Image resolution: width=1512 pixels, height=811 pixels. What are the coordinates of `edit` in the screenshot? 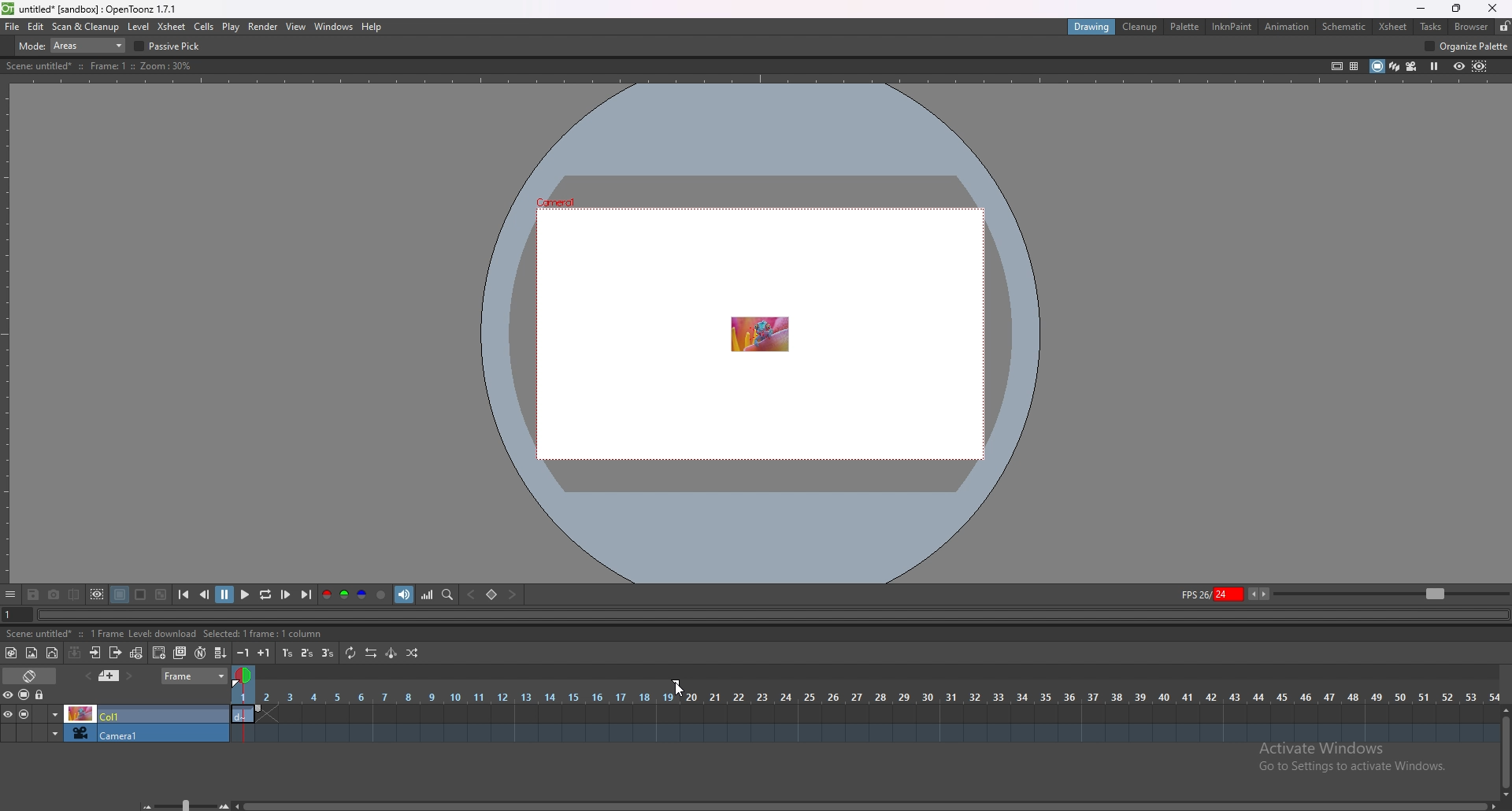 It's located at (36, 27).